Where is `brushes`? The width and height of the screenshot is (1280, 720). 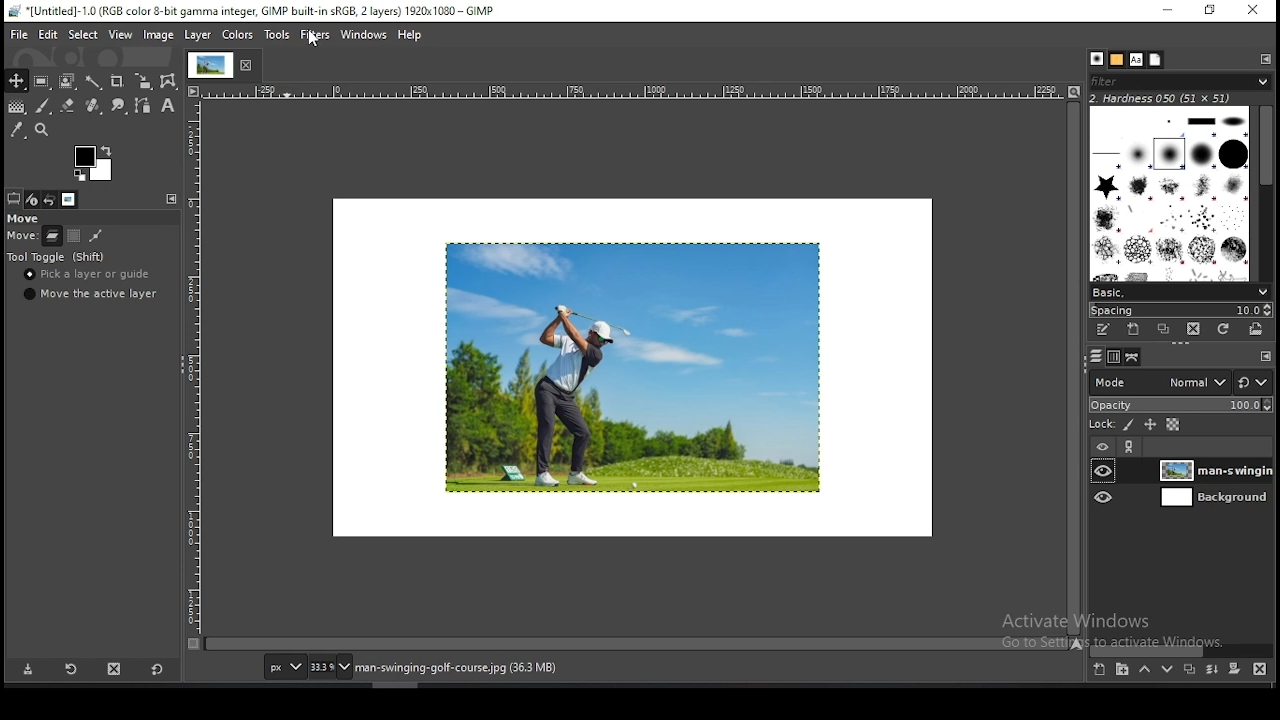
brushes is located at coordinates (1169, 193).